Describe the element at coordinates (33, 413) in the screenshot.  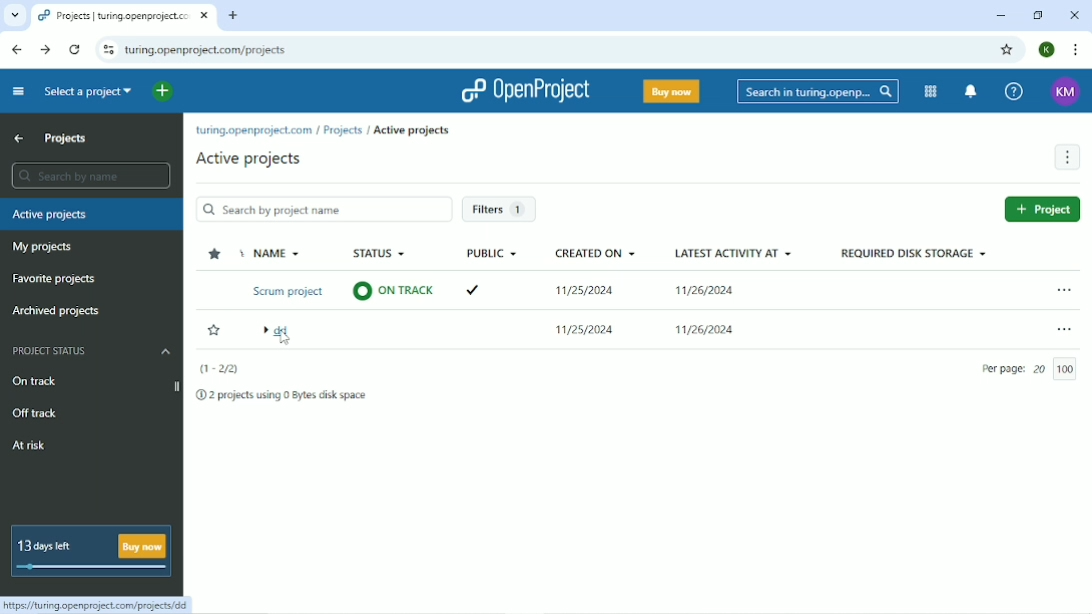
I see `Off track` at that location.